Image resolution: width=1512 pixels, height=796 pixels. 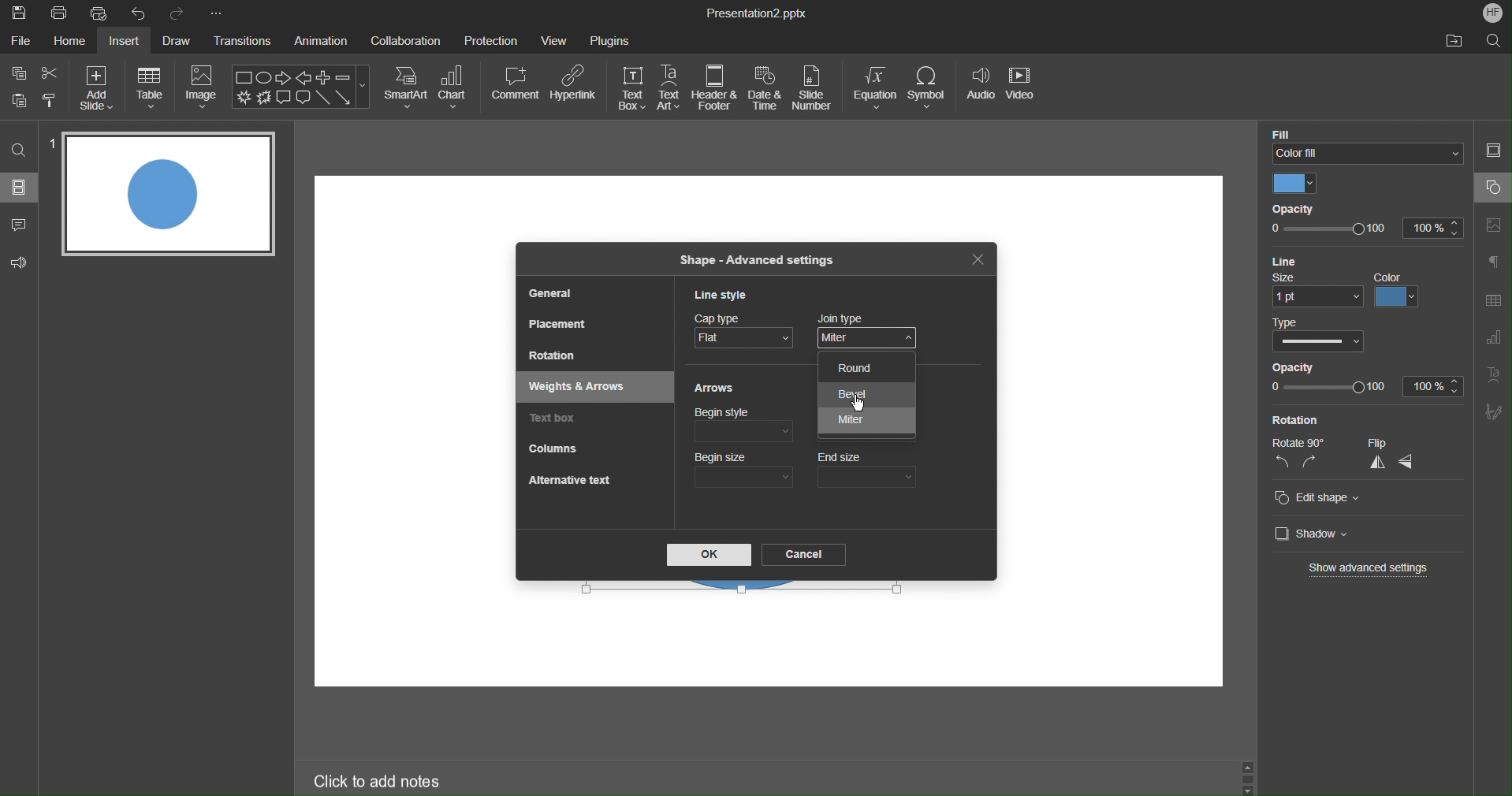 I want to click on Text box, so click(x=556, y=419).